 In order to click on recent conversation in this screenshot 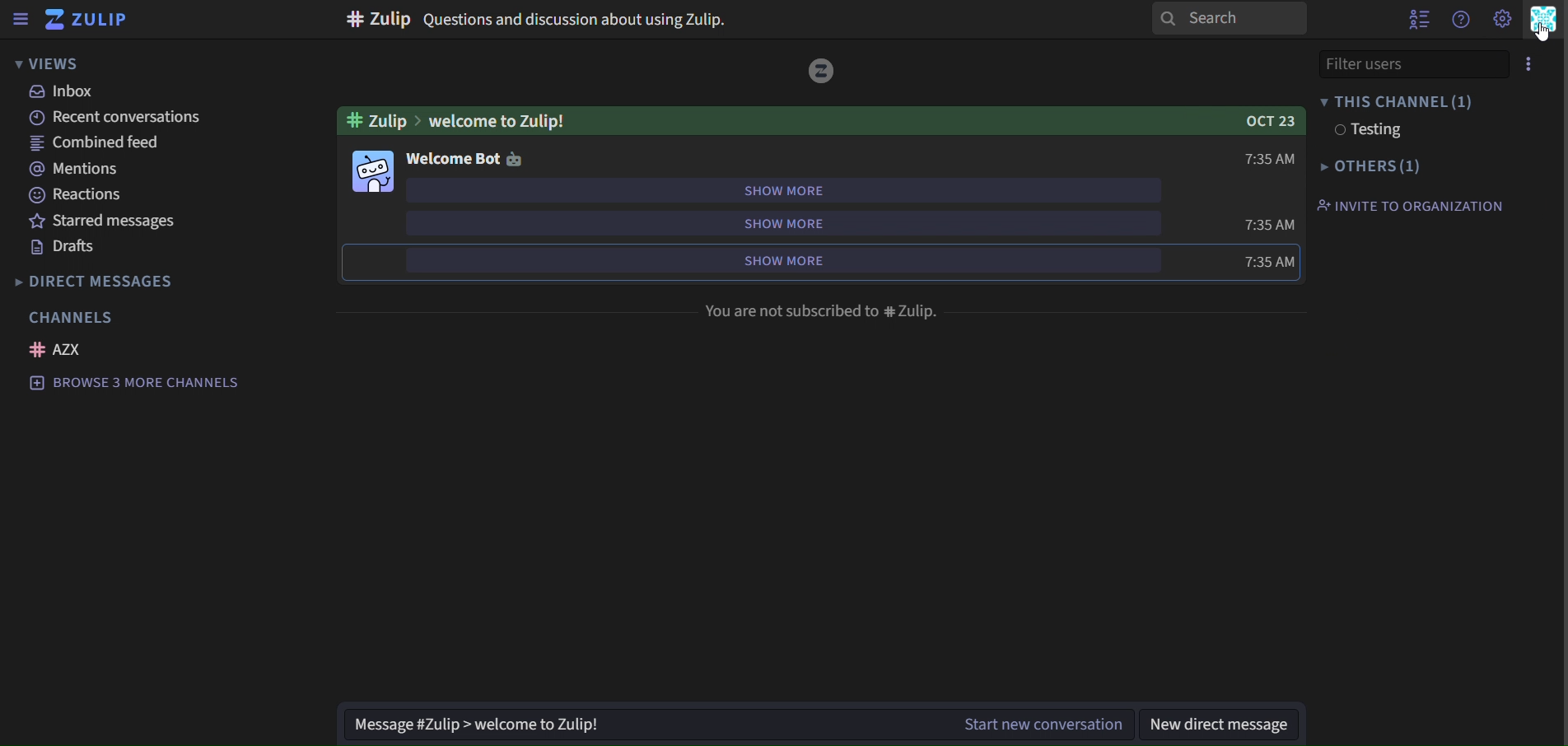, I will do `click(122, 118)`.